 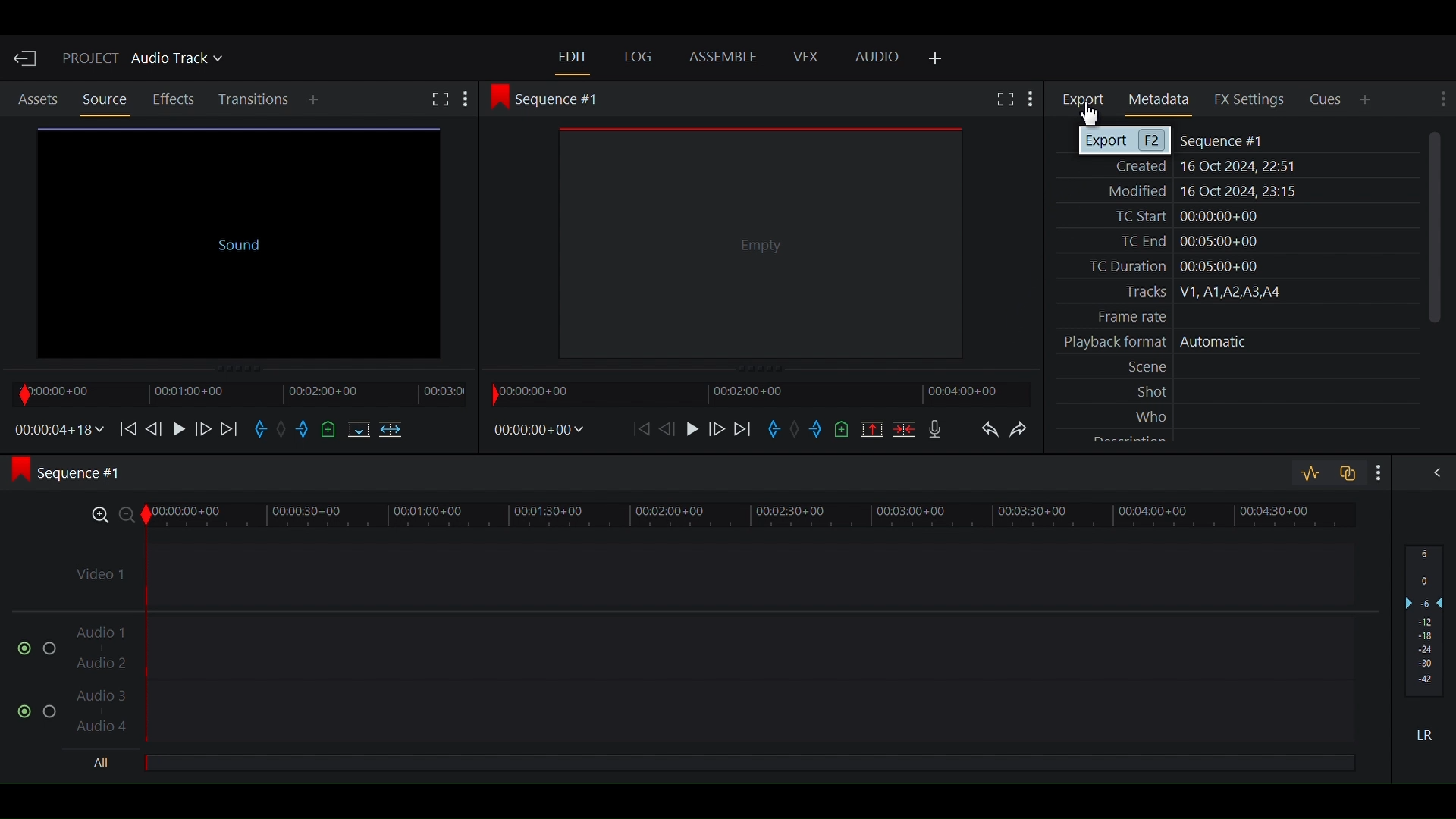 I want to click on Clear marks, so click(x=797, y=431).